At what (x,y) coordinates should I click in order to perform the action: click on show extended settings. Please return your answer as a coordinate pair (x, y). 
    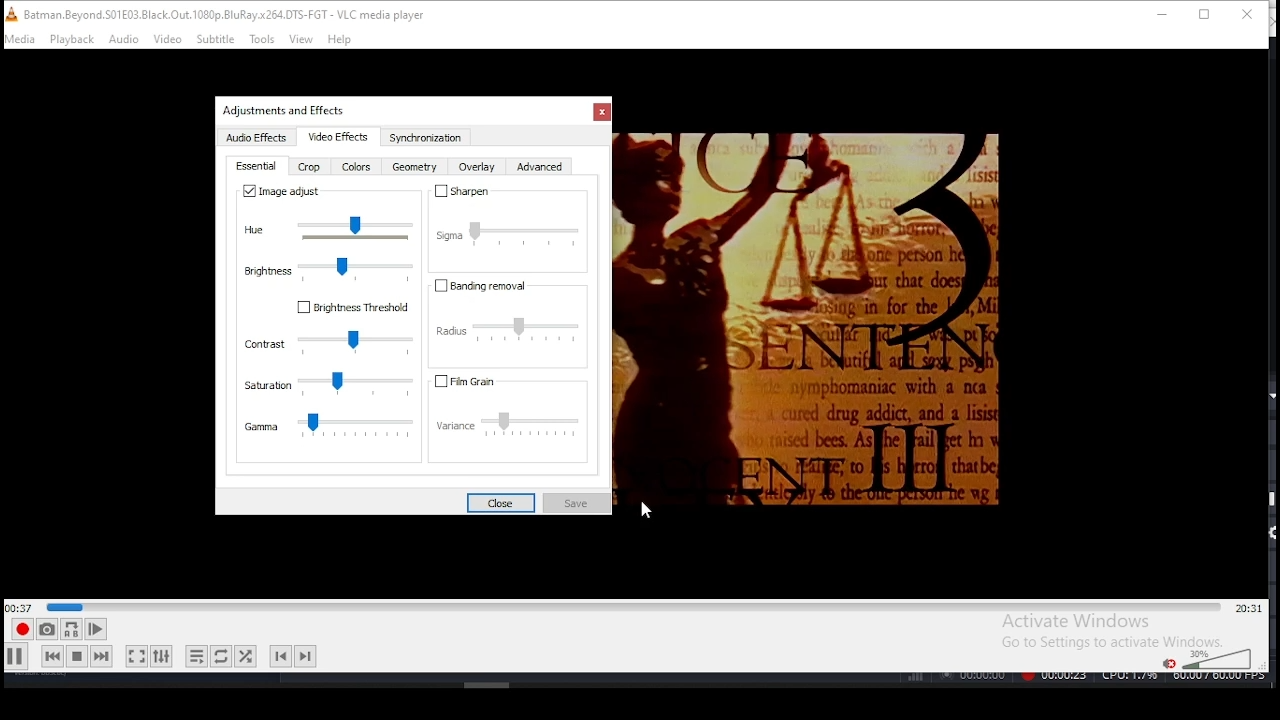
    Looking at the image, I should click on (163, 657).